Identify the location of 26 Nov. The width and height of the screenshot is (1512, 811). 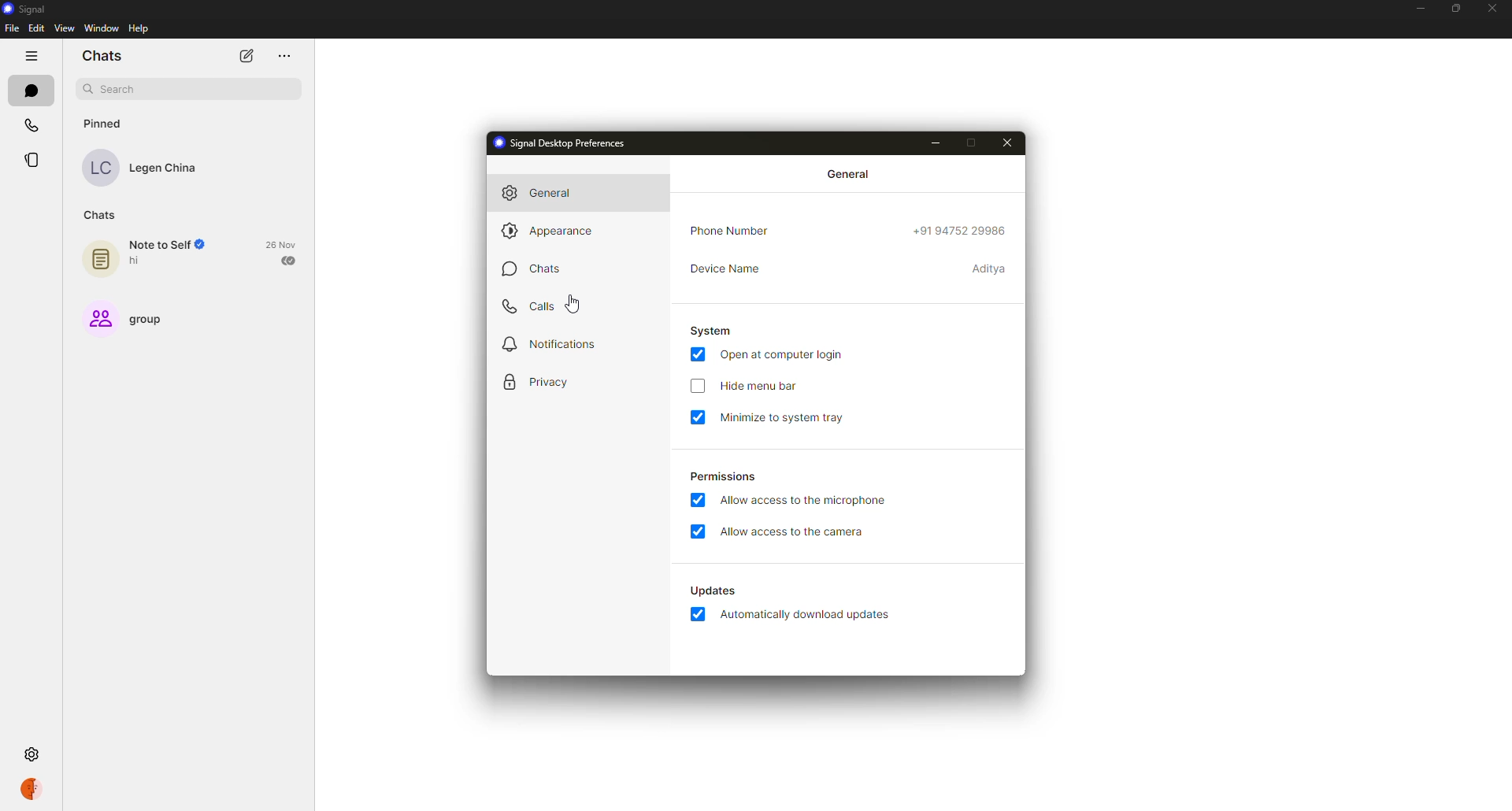
(284, 244).